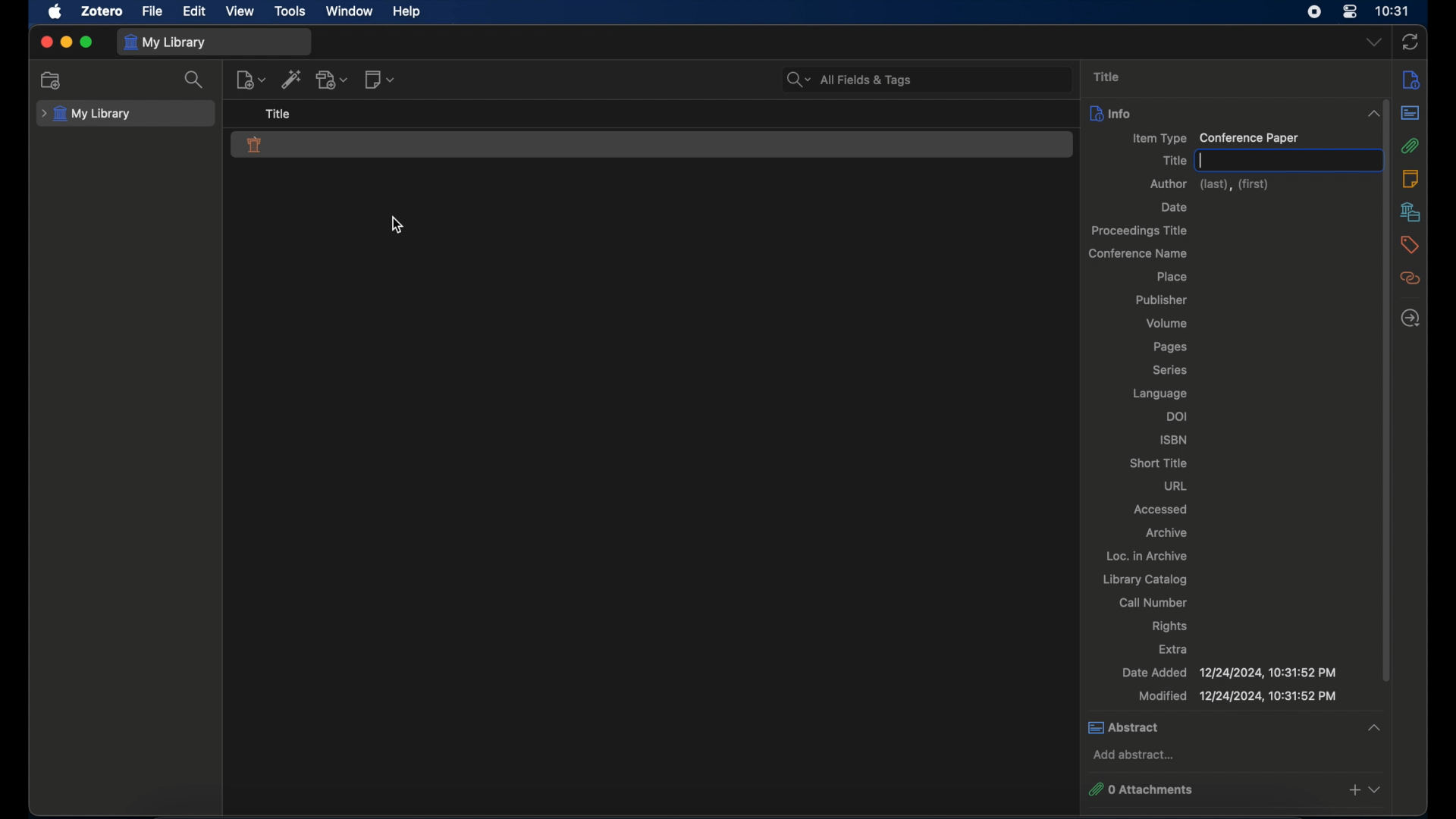 The image size is (1456, 819). I want to click on info, so click(1411, 79).